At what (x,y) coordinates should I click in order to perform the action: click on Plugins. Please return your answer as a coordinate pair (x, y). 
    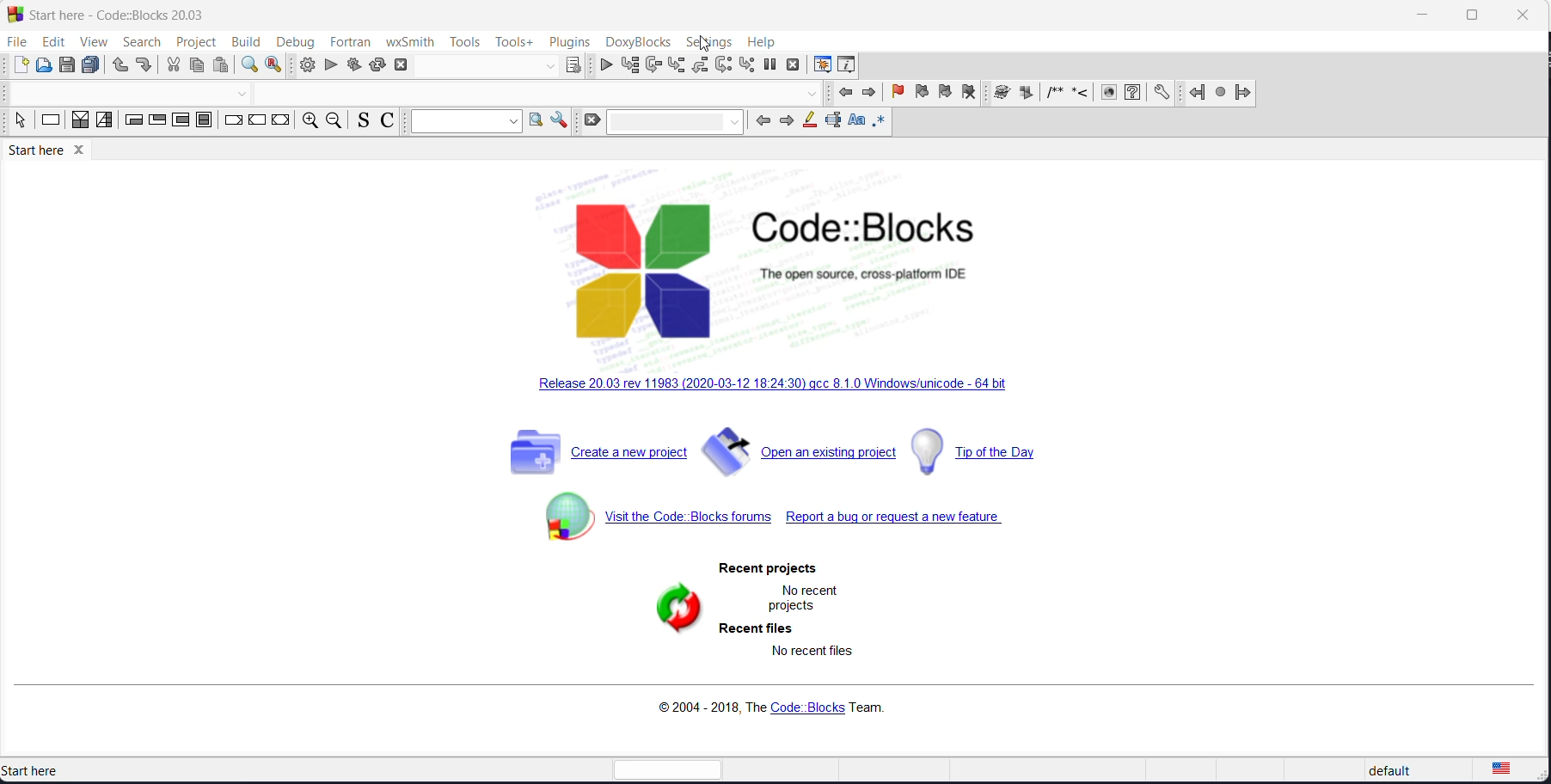
    Looking at the image, I should click on (571, 40).